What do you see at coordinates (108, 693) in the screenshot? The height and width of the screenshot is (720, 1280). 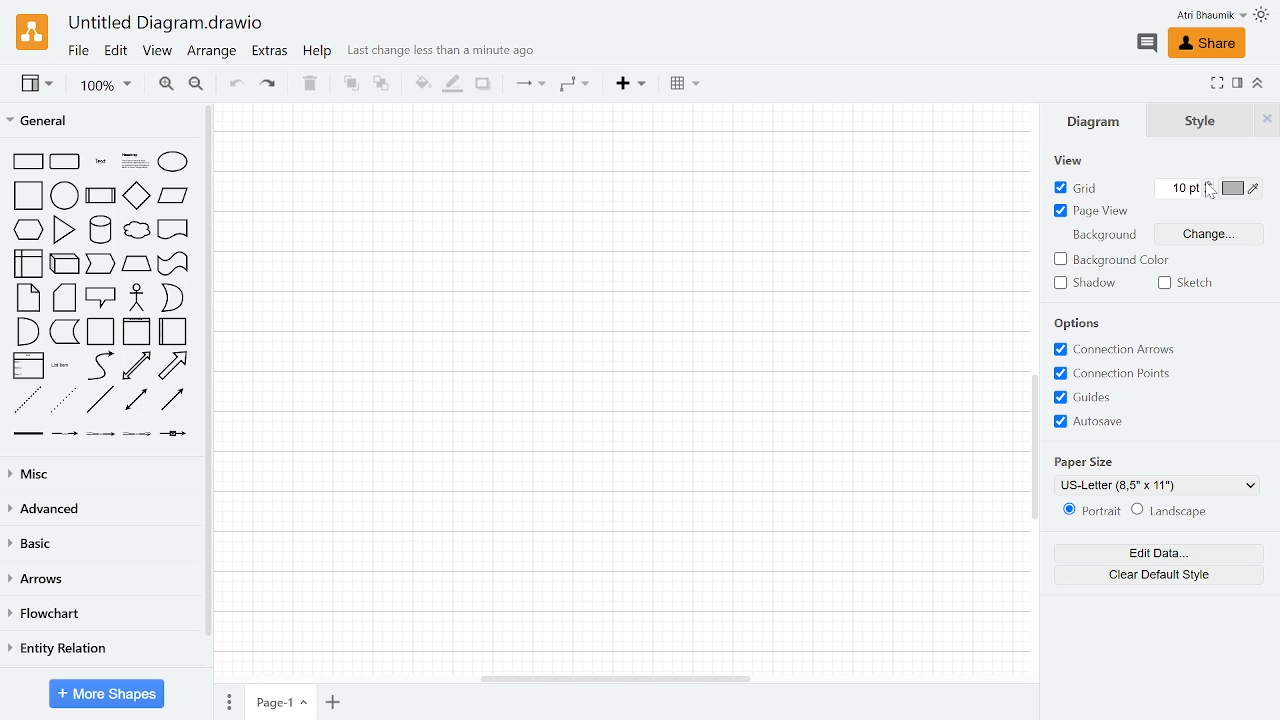 I see `More Shapes` at bounding box center [108, 693].